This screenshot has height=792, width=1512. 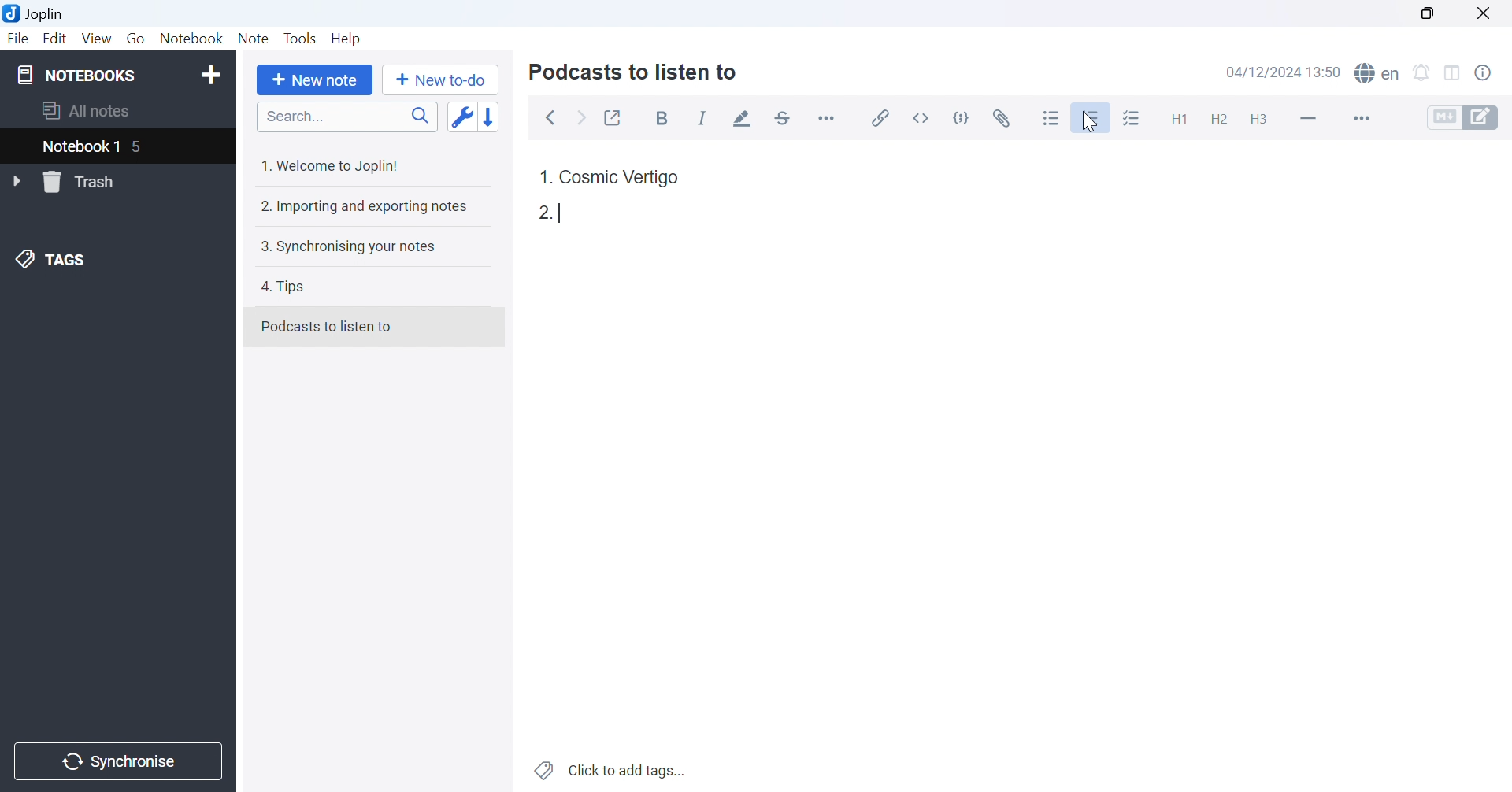 I want to click on Note, so click(x=254, y=38).